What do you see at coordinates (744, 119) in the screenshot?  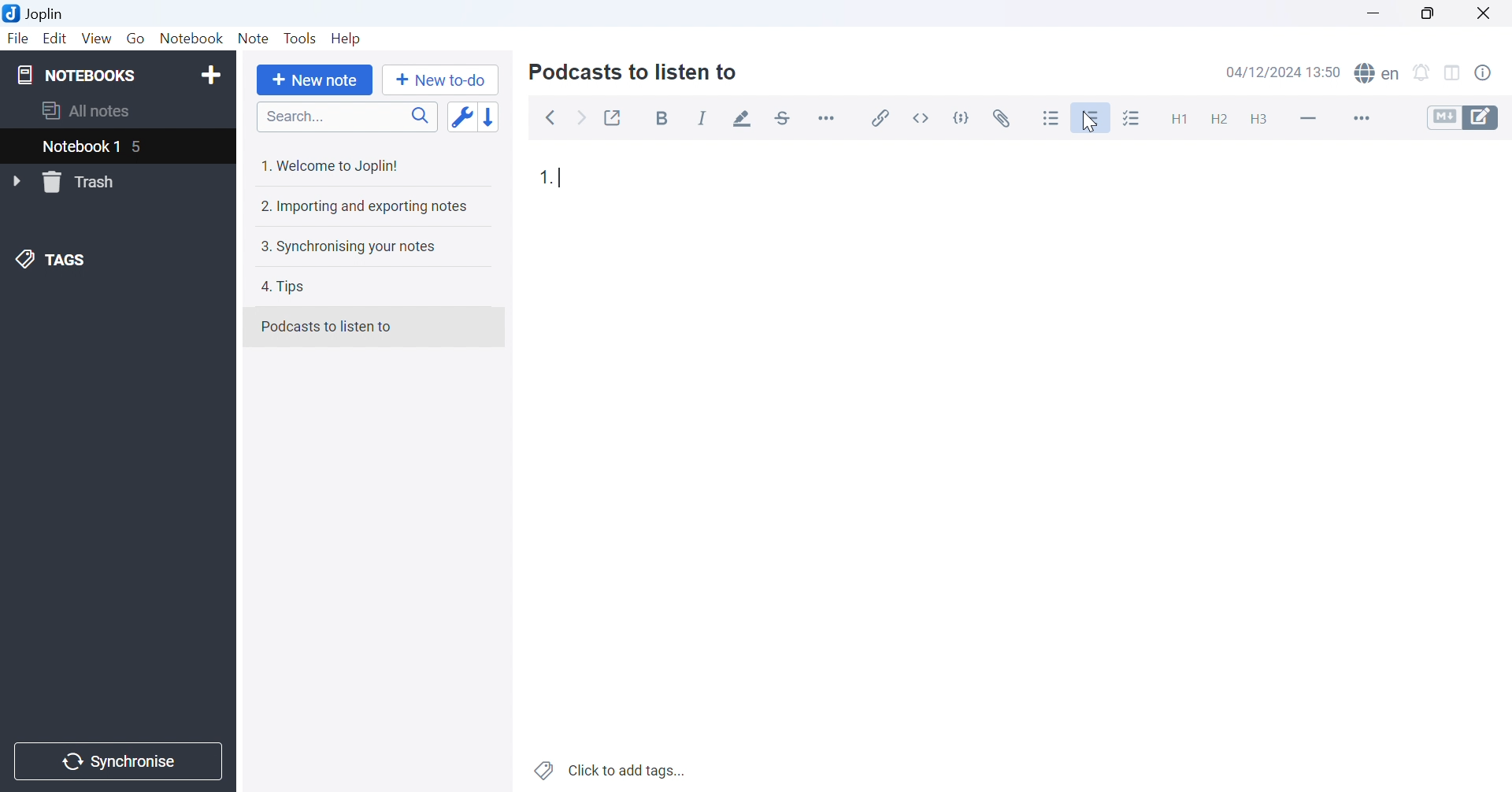 I see `Highlight` at bounding box center [744, 119].